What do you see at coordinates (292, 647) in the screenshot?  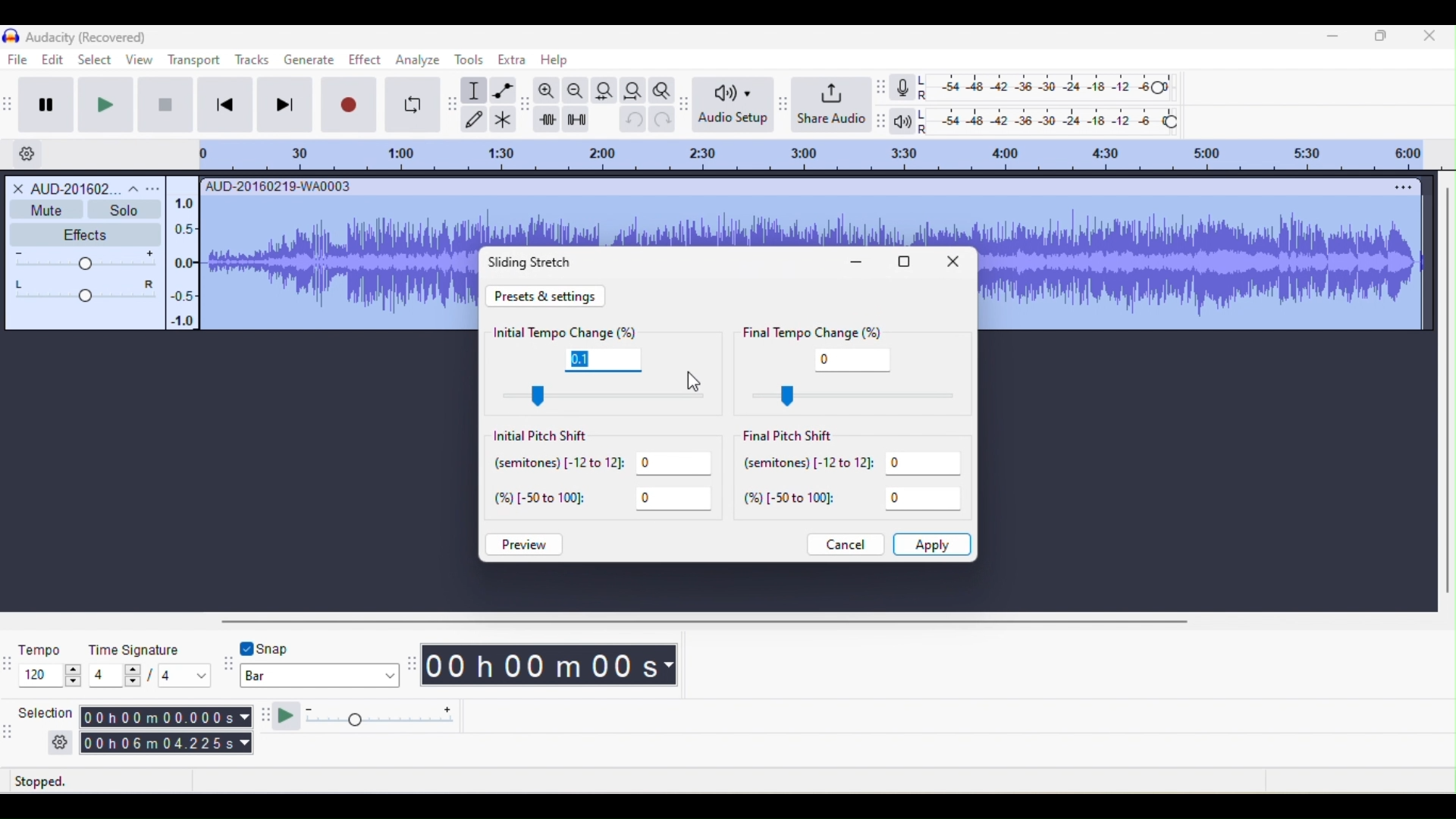 I see `snap` at bounding box center [292, 647].